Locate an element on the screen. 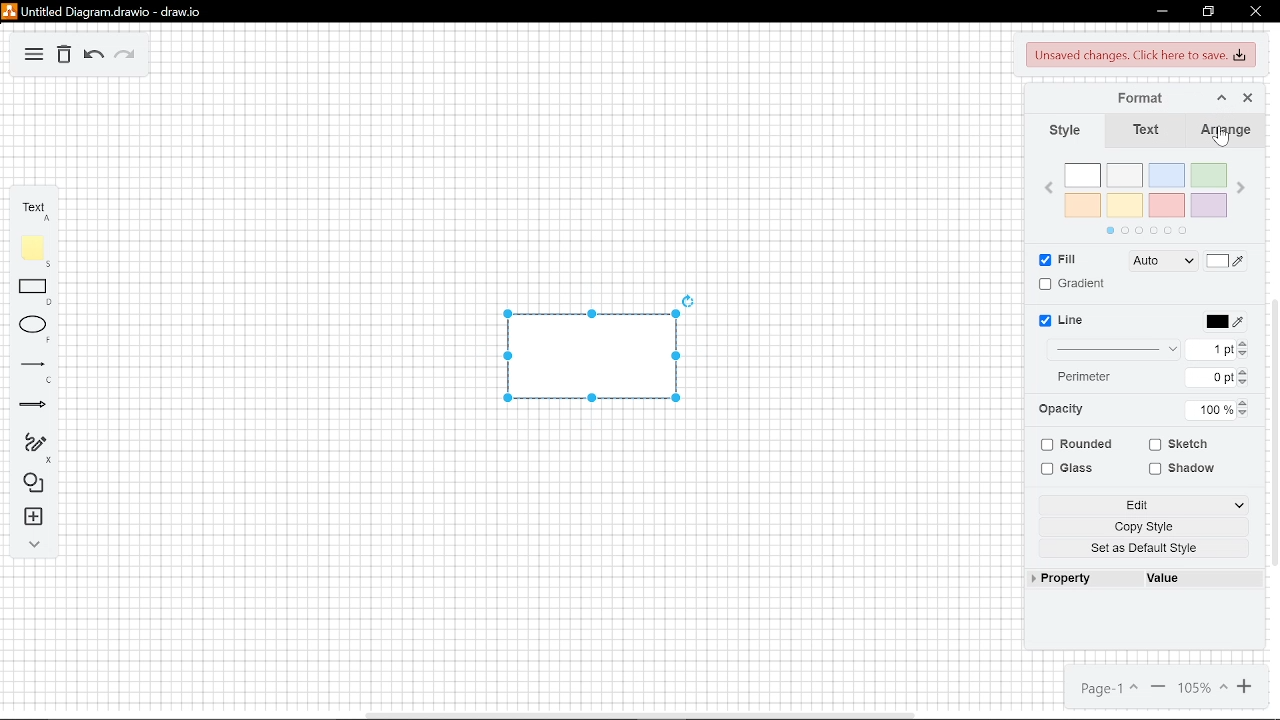  current diagram is located at coordinates (589, 356).